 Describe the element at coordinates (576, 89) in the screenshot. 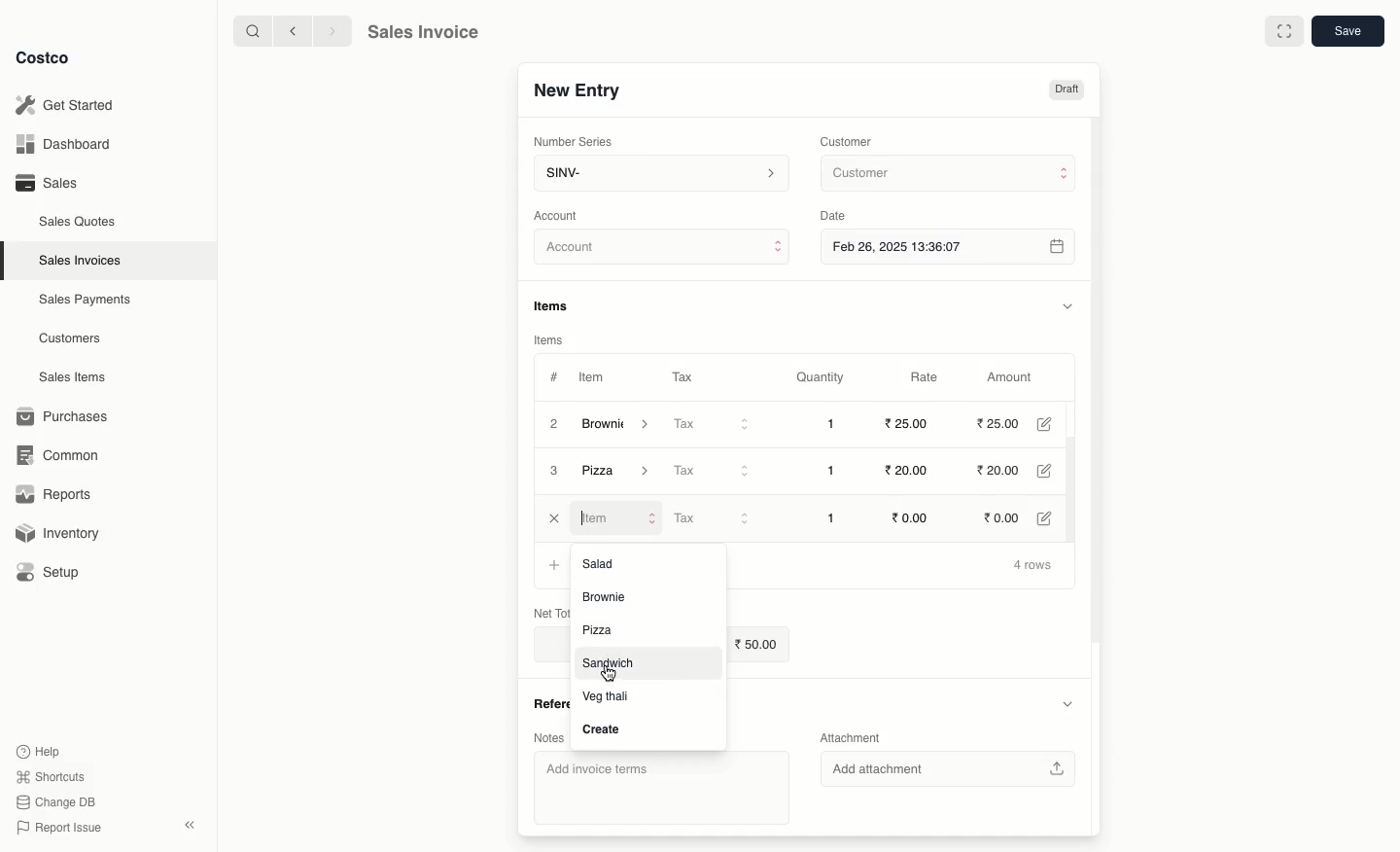

I see `New Entry` at that location.